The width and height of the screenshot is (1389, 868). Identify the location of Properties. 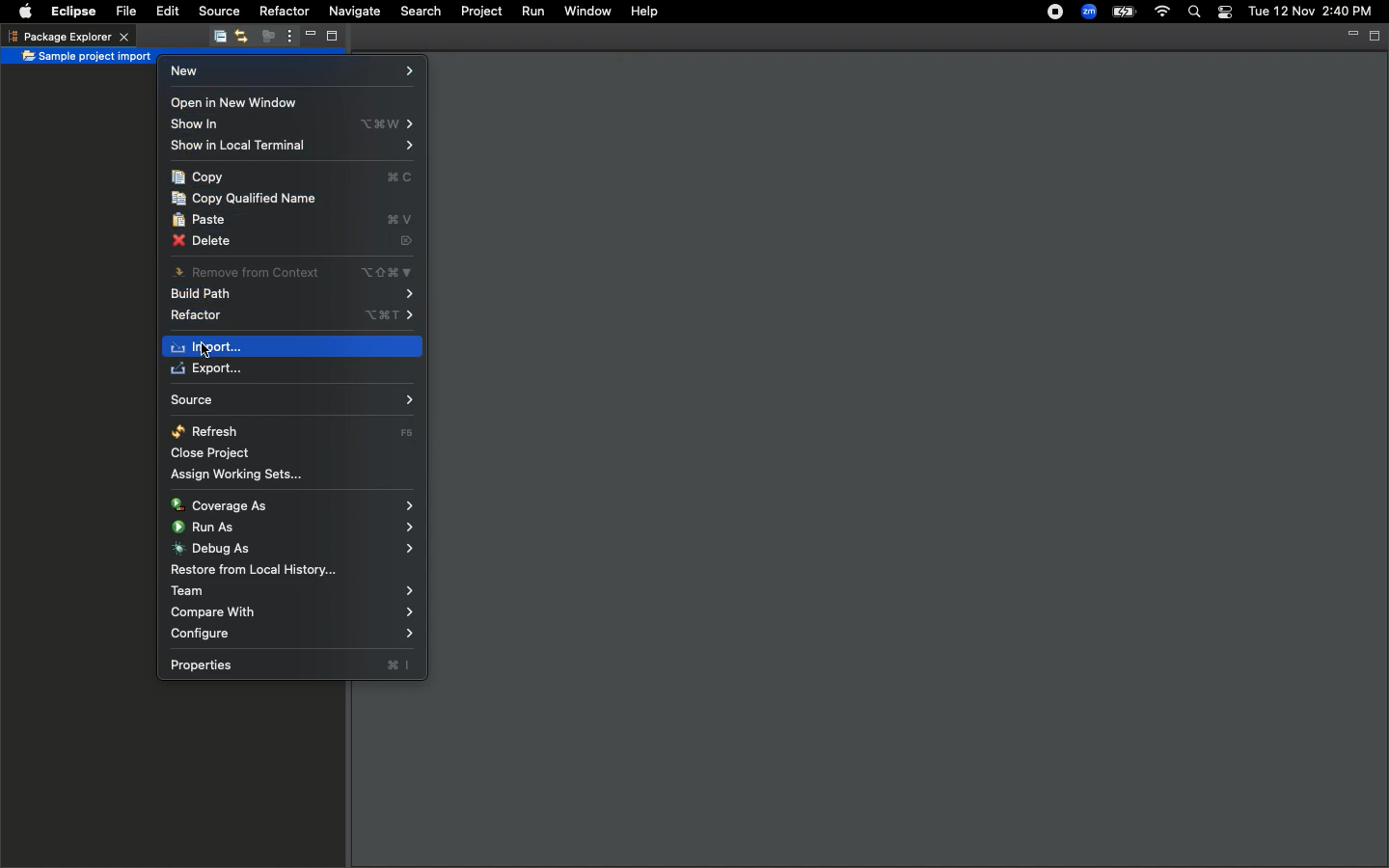
(292, 665).